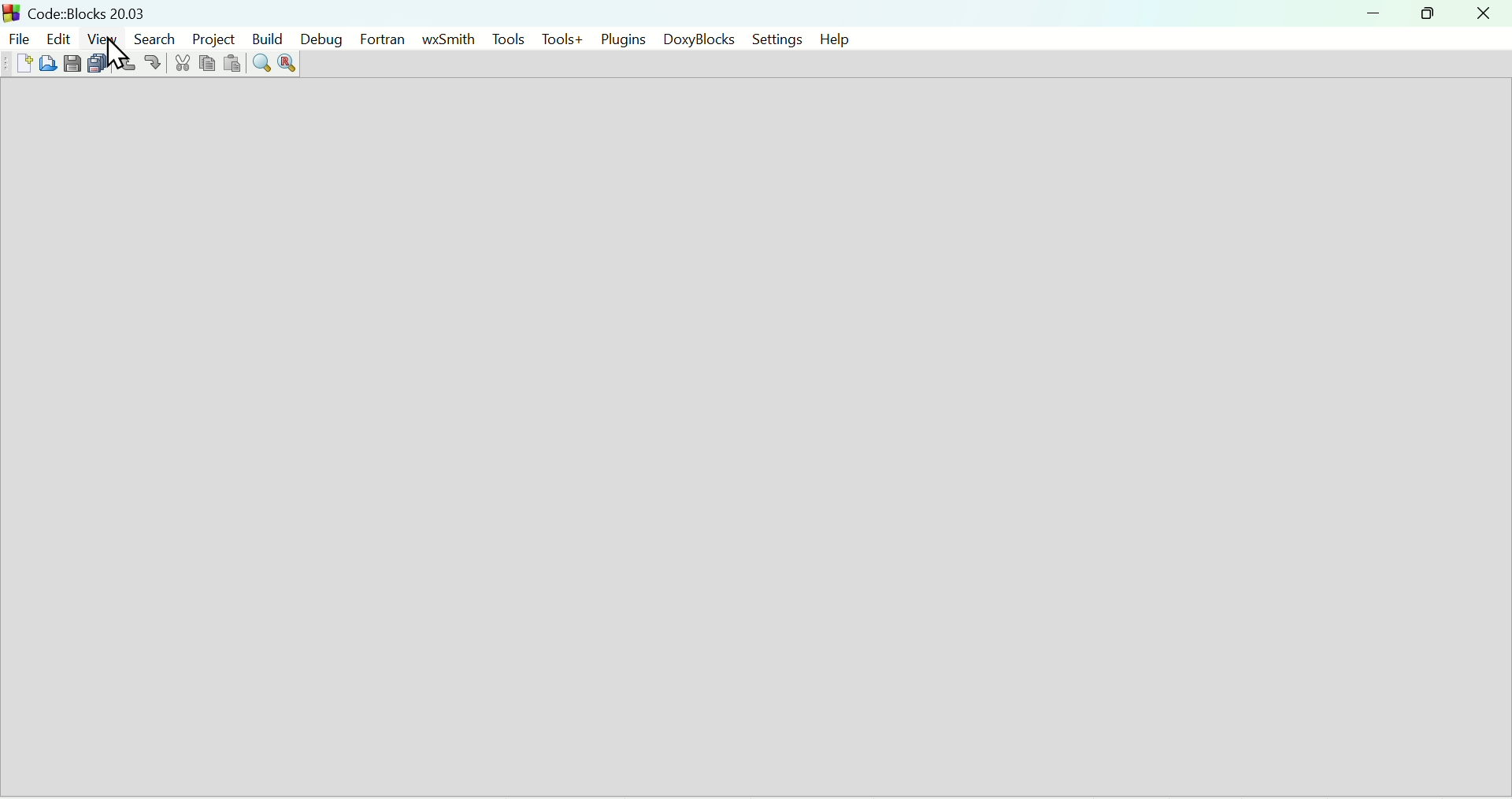 The width and height of the screenshot is (1512, 799). What do you see at coordinates (230, 65) in the screenshot?
I see `Paste` at bounding box center [230, 65].